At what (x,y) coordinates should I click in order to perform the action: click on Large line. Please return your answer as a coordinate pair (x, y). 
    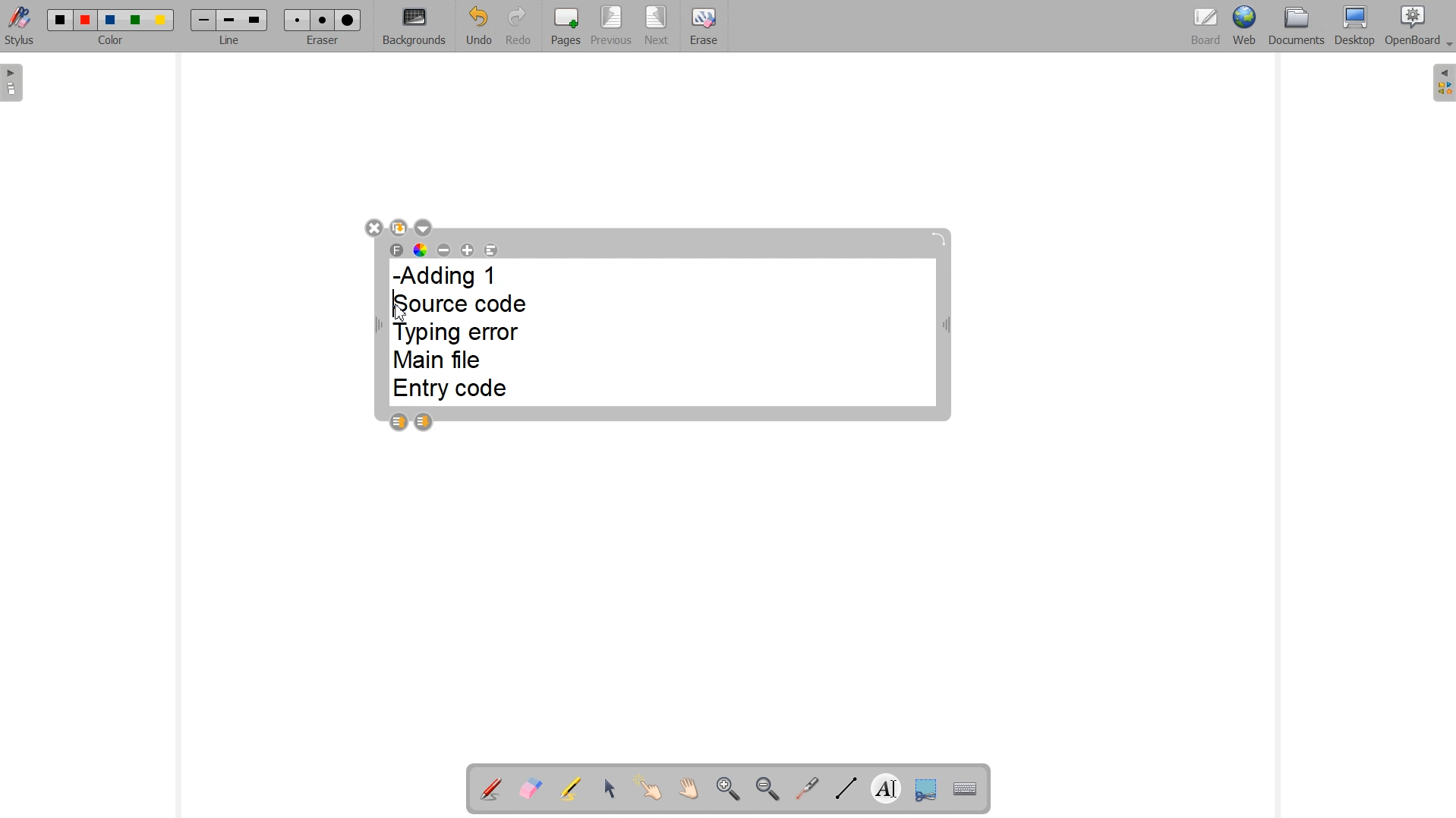
    Looking at the image, I should click on (256, 20).